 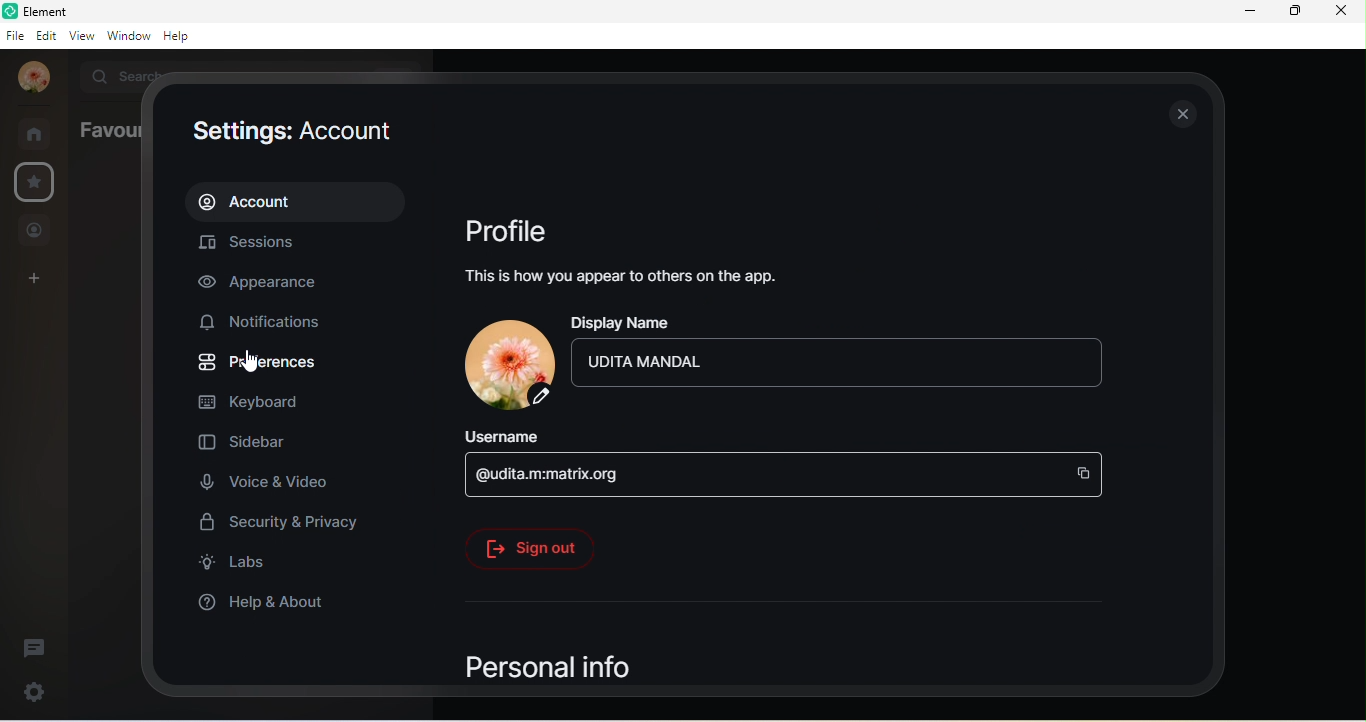 What do you see at coordinates (35, 229) in the screenshot?
I see `people` at bounding box center [35, 229].